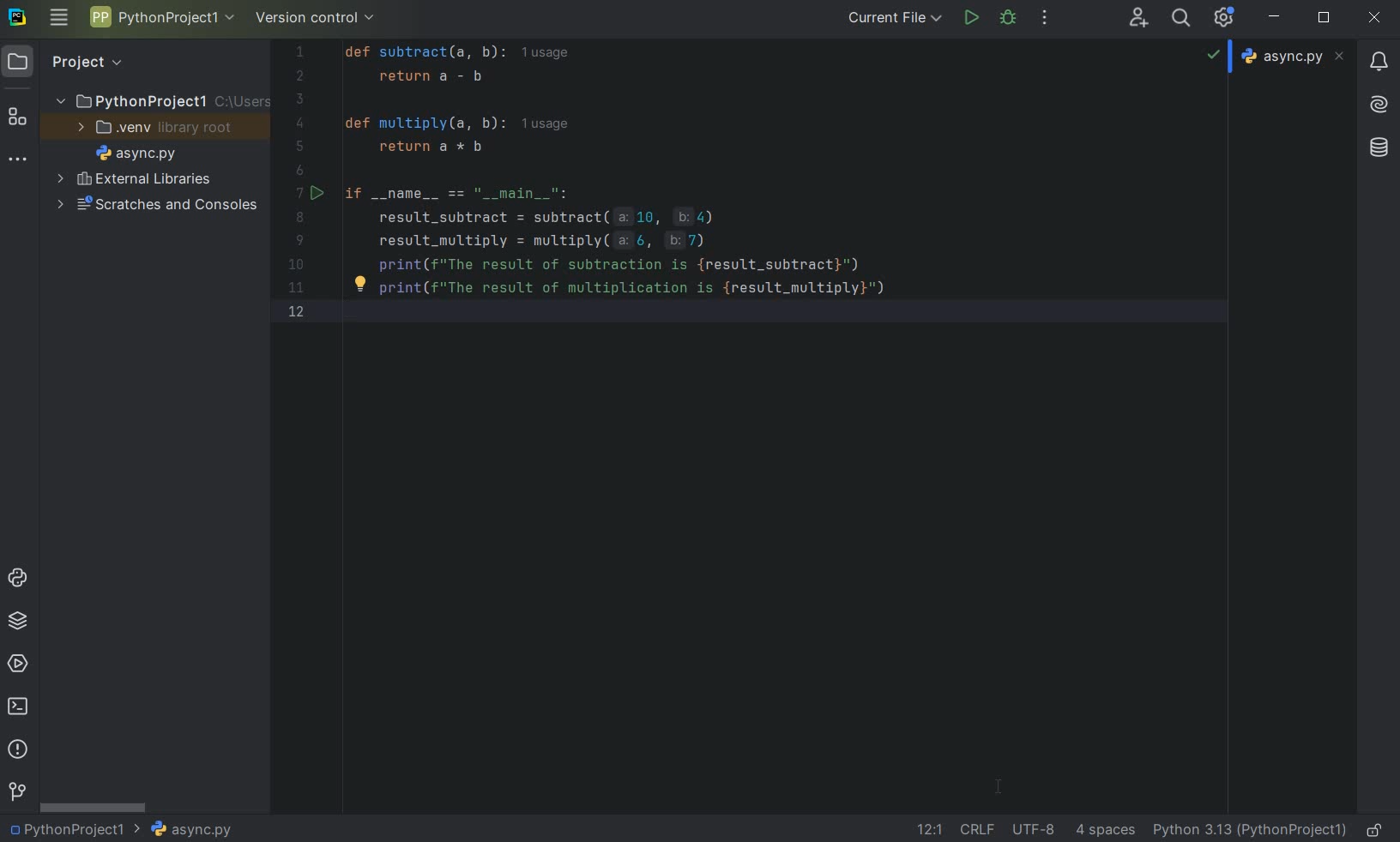 Image resolution: width=1400 pixels, height=842 pixels. What do you see at coordinates (74, 831) in the screenshot?
I see `project name` at bounding box center [74, 831].